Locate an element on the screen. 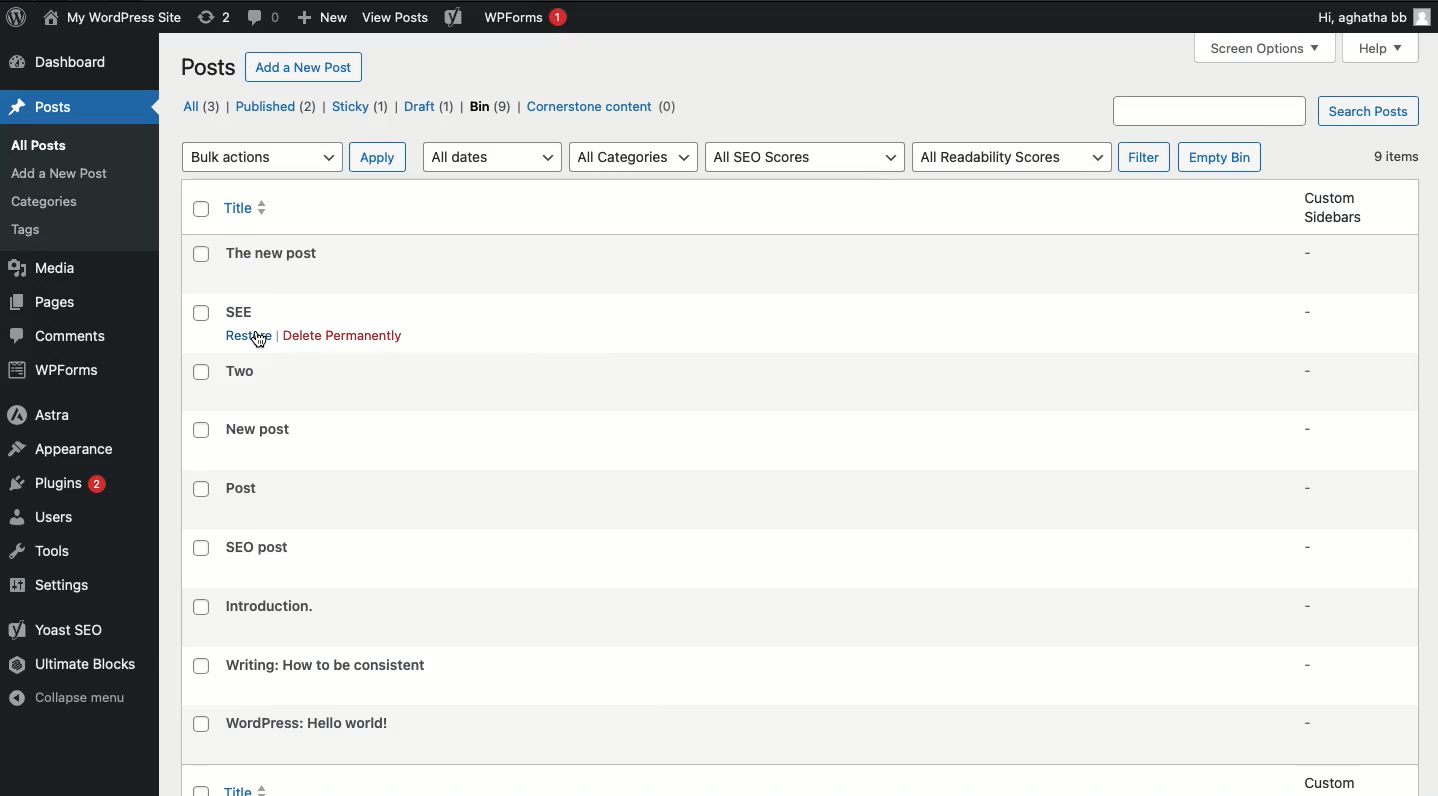  WPForms is located at coordinates (58, 370).